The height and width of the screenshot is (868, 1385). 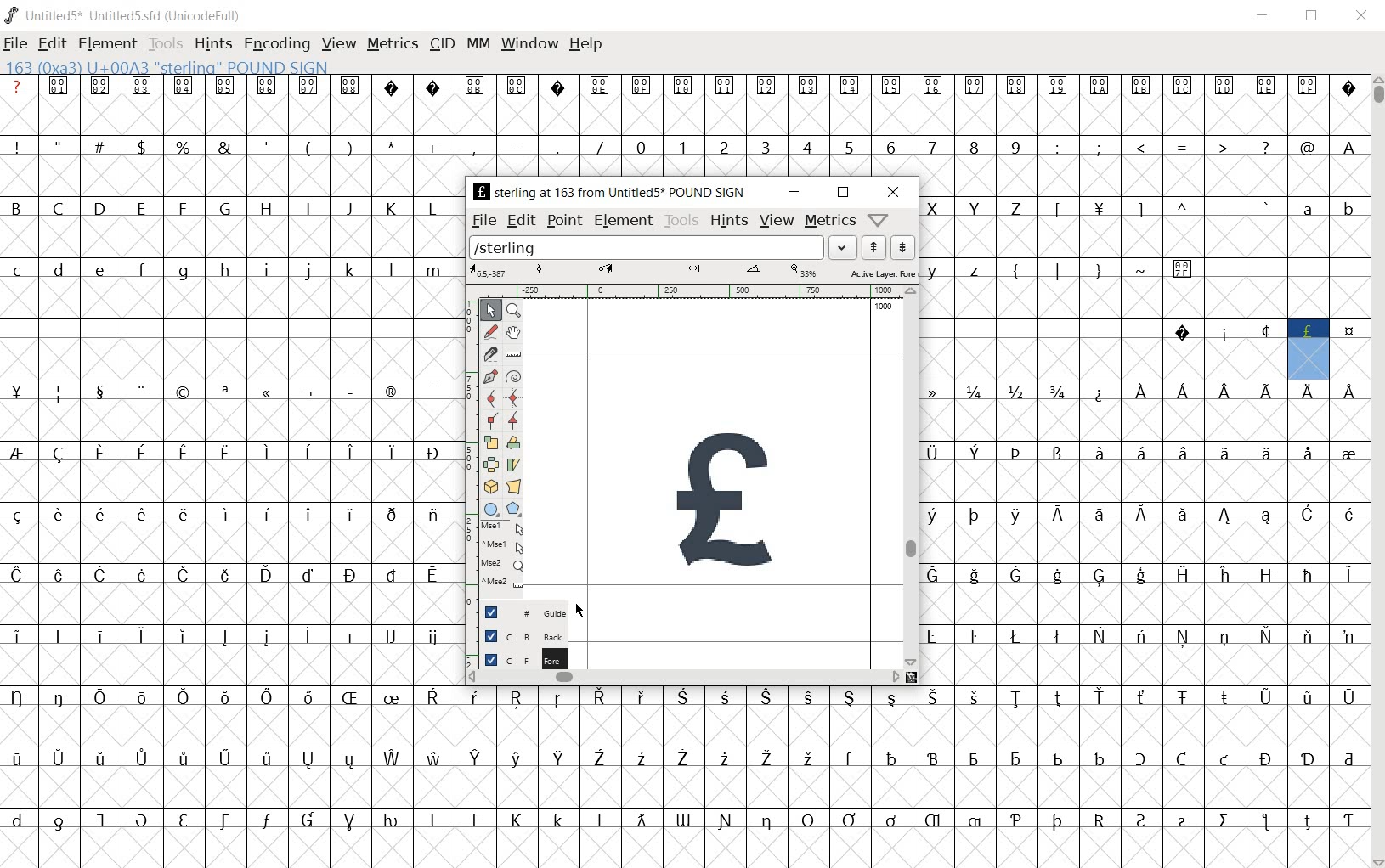 I want to click on Symbol, so click(x=1308, y=576).